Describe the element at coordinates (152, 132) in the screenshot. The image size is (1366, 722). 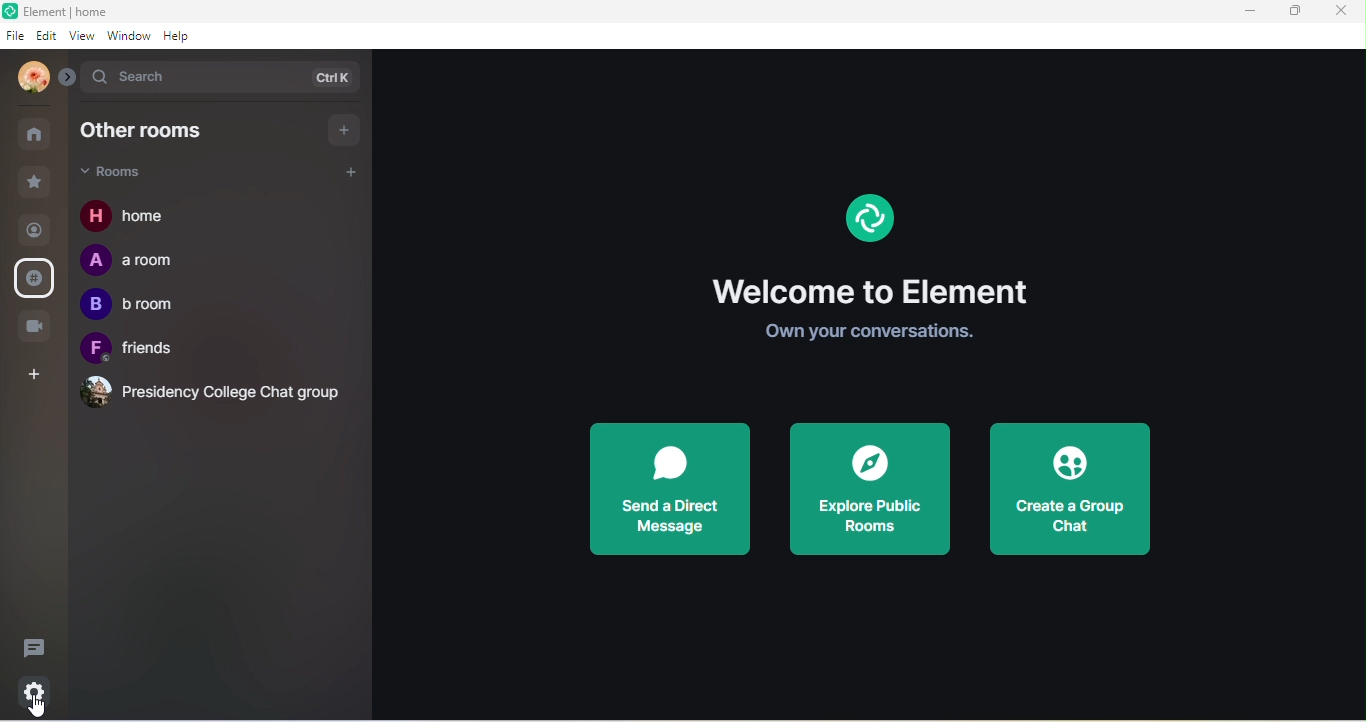
I see `other rooms` at that location.